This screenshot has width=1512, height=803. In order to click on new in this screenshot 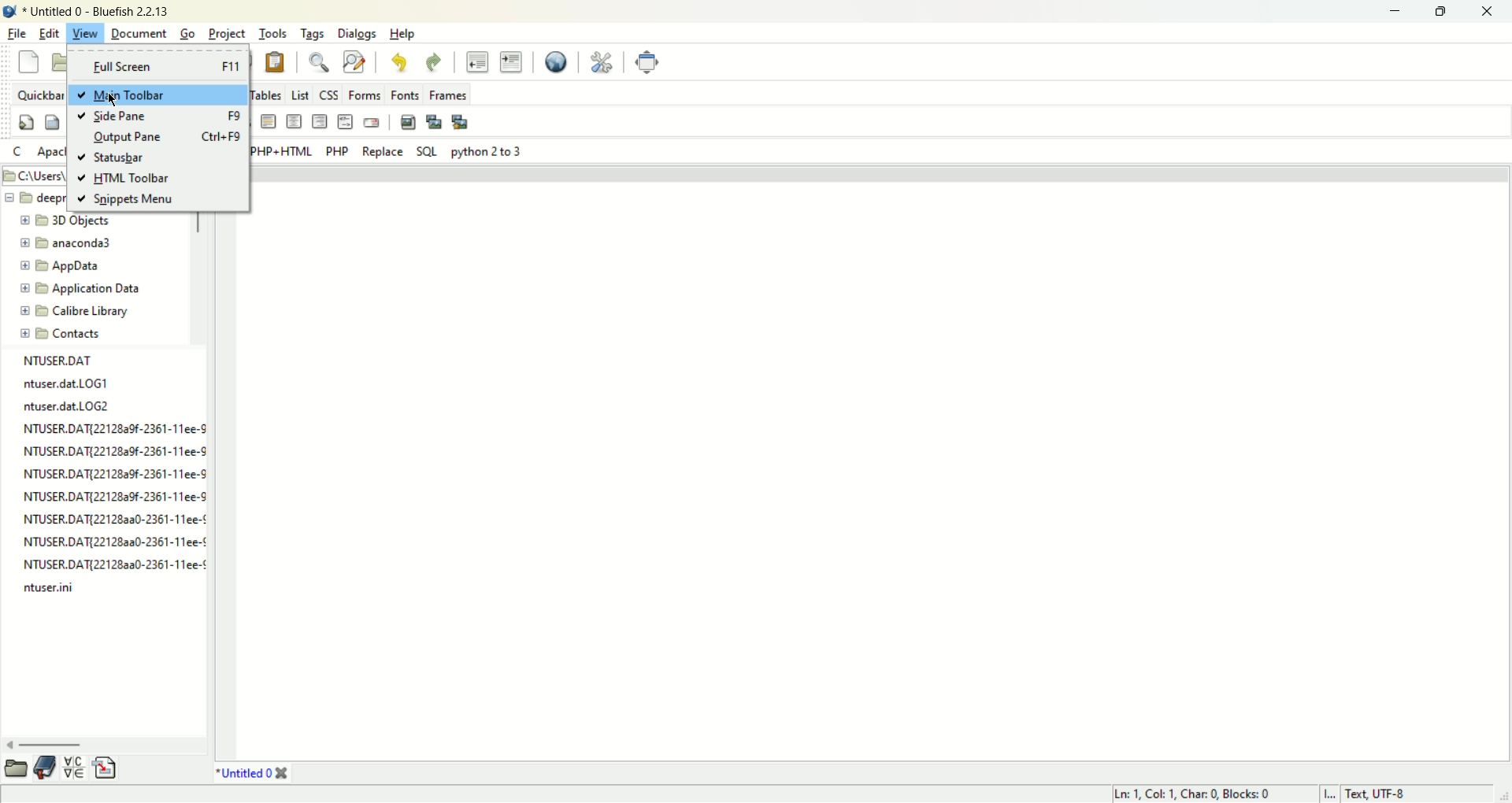, I will do `click(27, 61)`.